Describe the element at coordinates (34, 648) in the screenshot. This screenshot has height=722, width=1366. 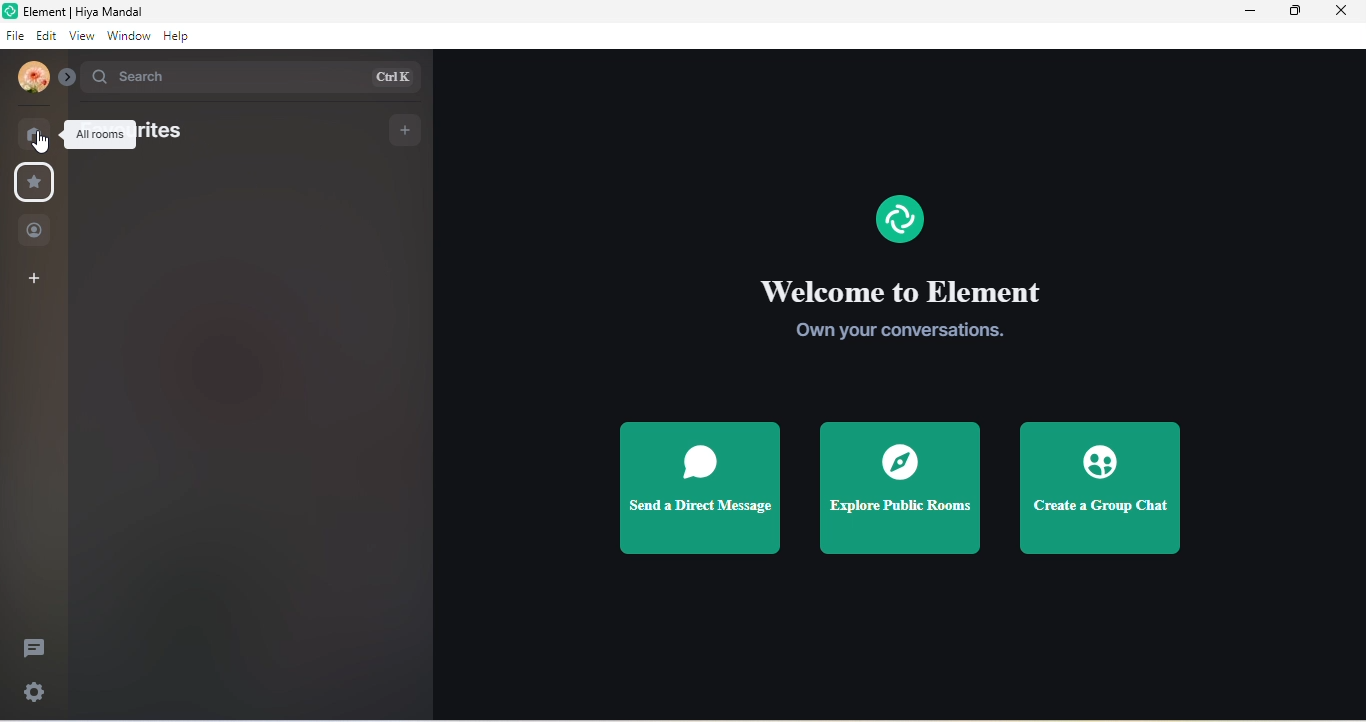
I see `threads` at that location.